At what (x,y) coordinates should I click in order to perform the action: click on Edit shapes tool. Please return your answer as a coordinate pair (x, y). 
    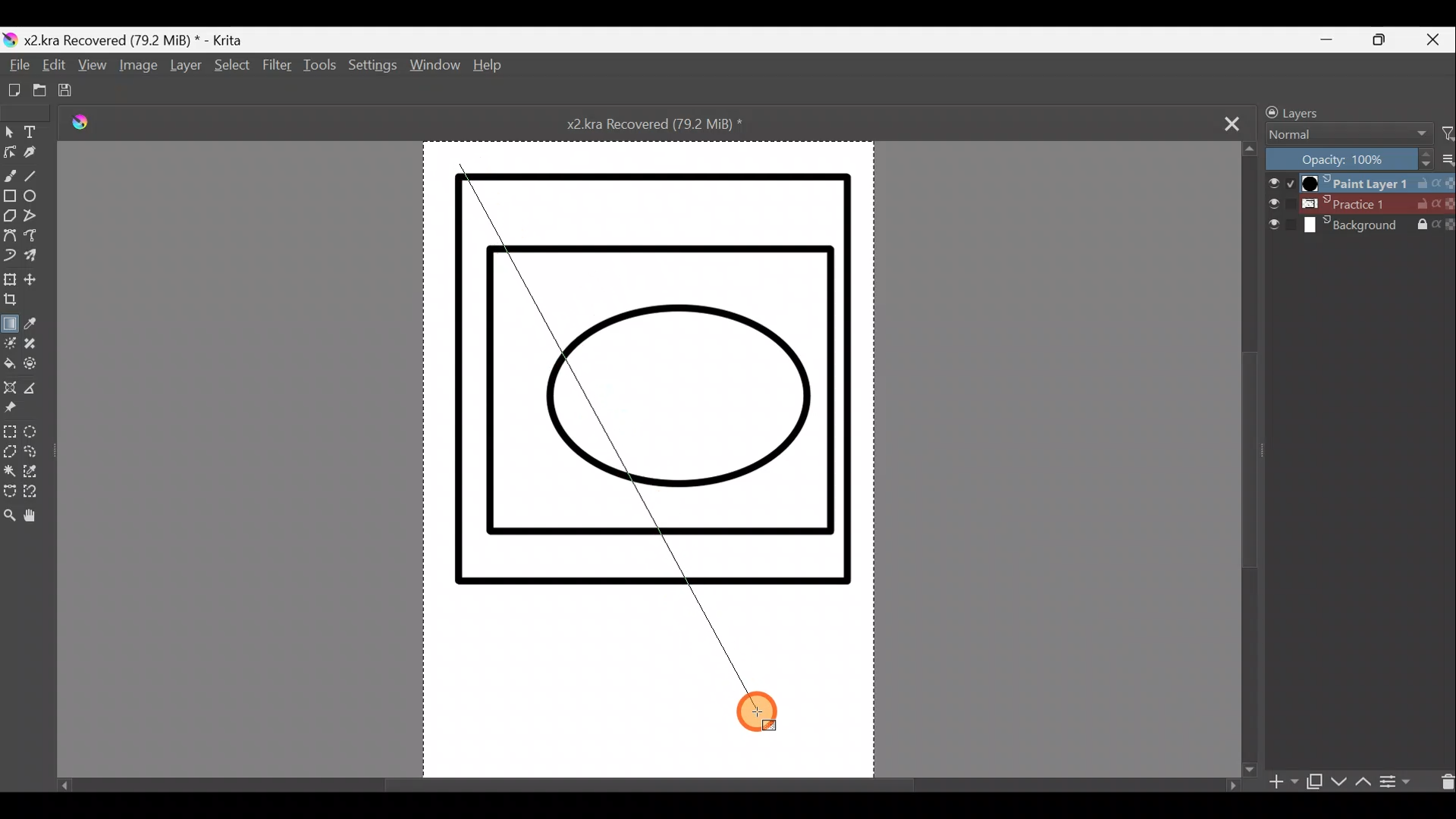
    Looking at the image, I should click on (9, 154).